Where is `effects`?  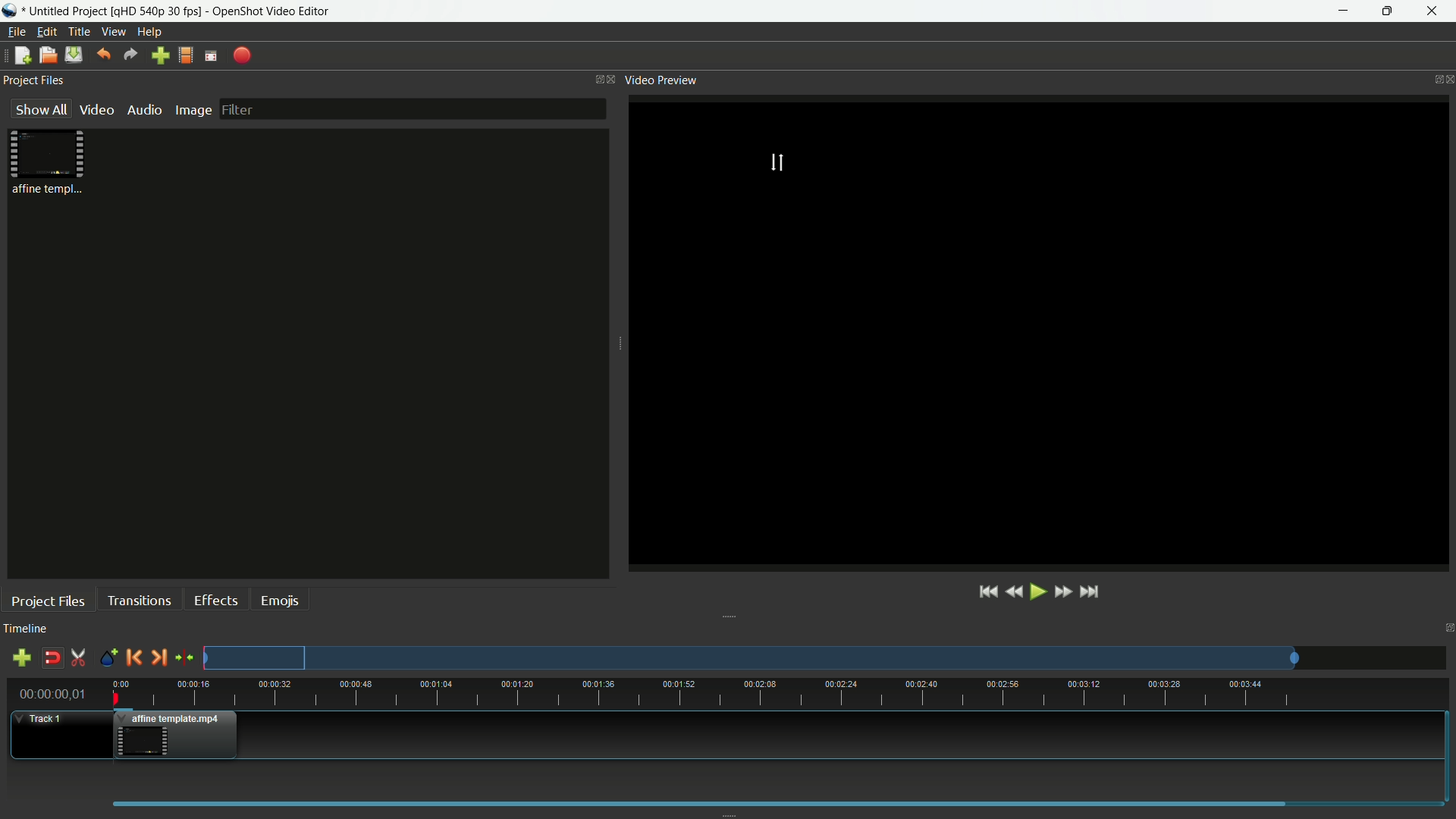
effects is located at coordinates (215, 600).